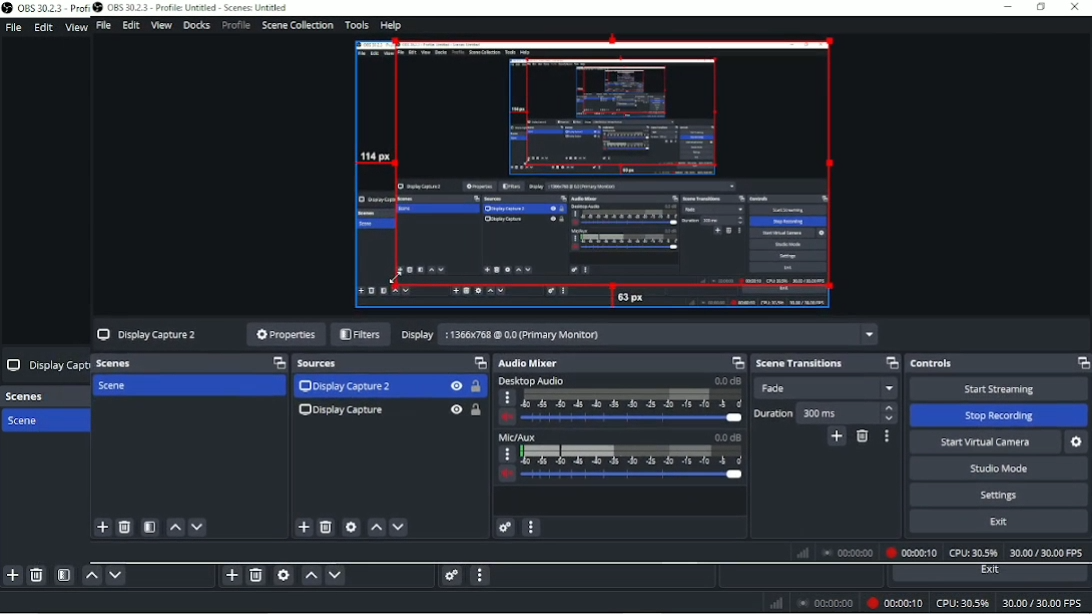  I want to click on Add cofigurable transition, so click(832, 438).